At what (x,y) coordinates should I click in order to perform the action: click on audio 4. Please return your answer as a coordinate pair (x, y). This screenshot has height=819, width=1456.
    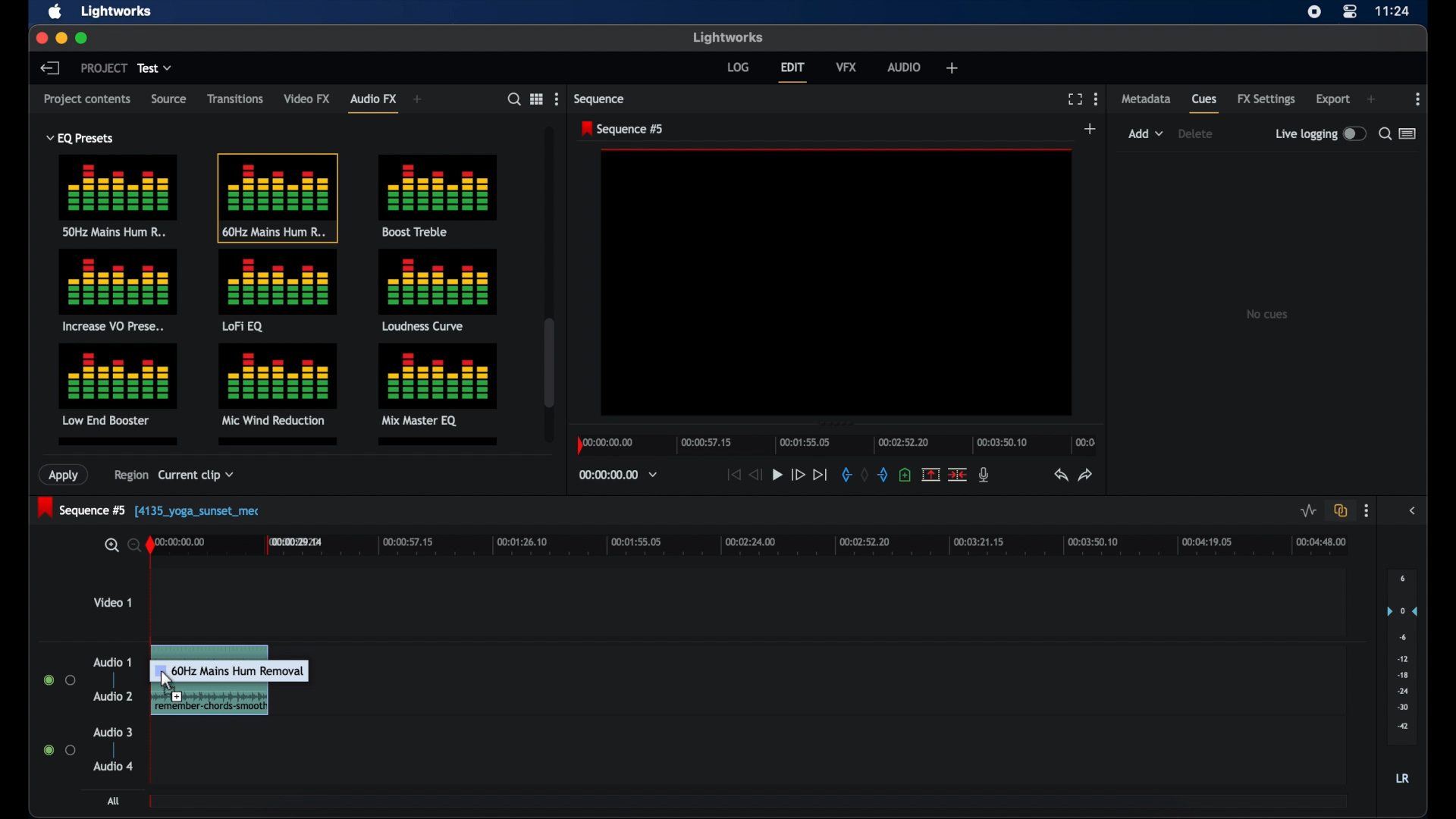
    Looking at the image, I should click on (114, 766).